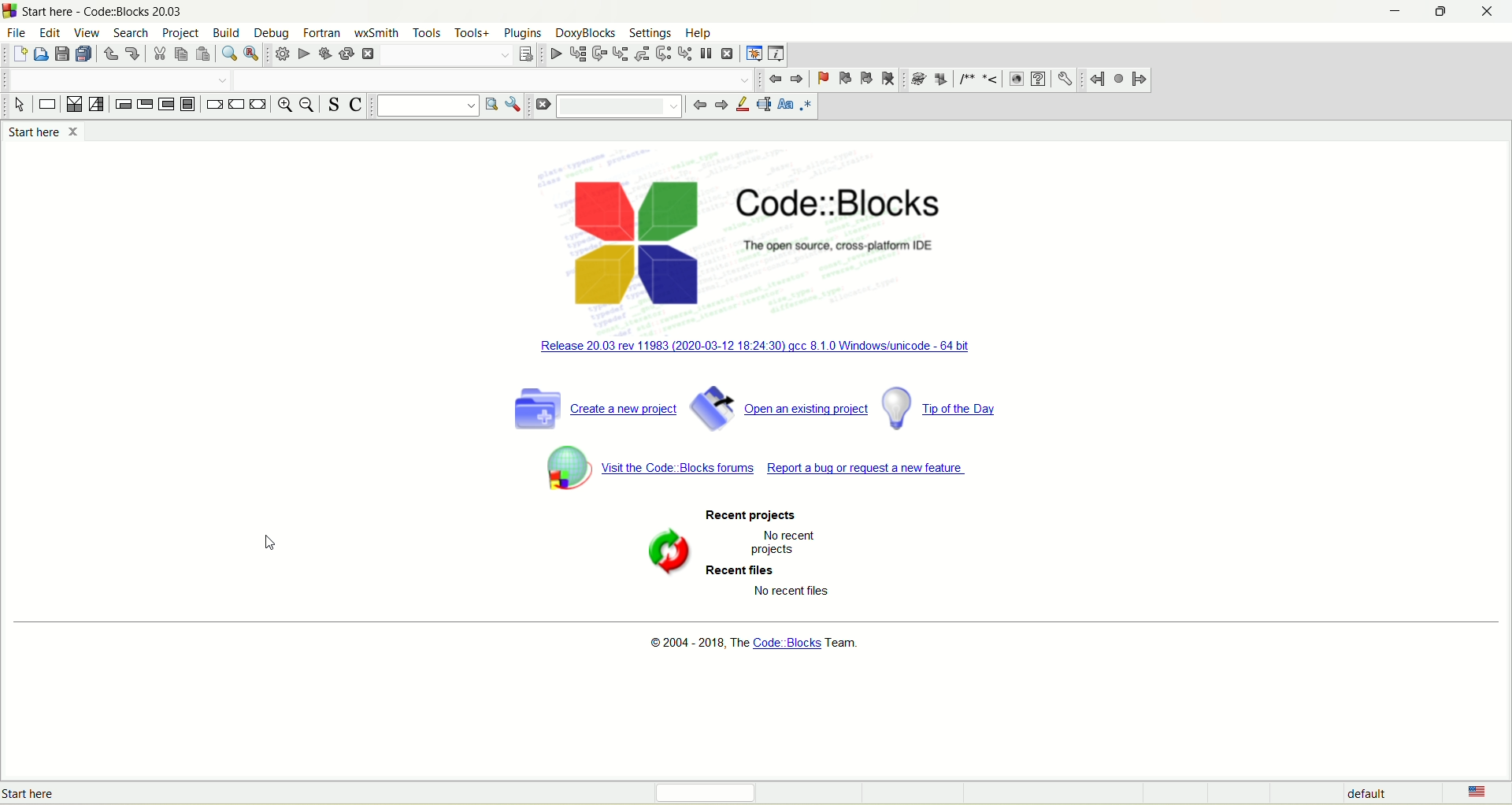 This screenshot has width=1512, height=805. Describe the element at coordinates (228, 32) in the screenshot. I see `build` at that location.